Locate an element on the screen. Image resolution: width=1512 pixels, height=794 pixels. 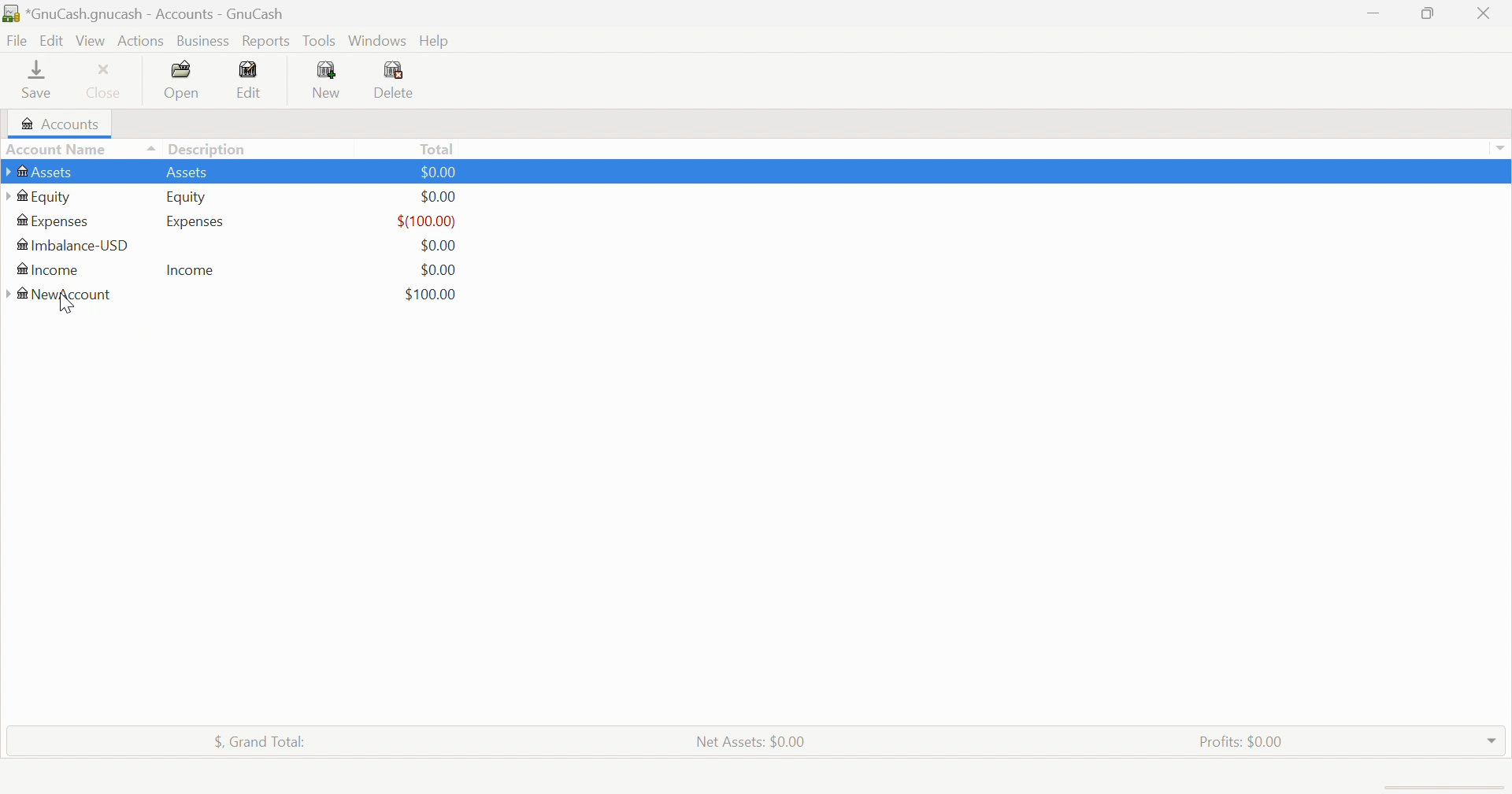
$100.00 is located at coordinates (431, 295).